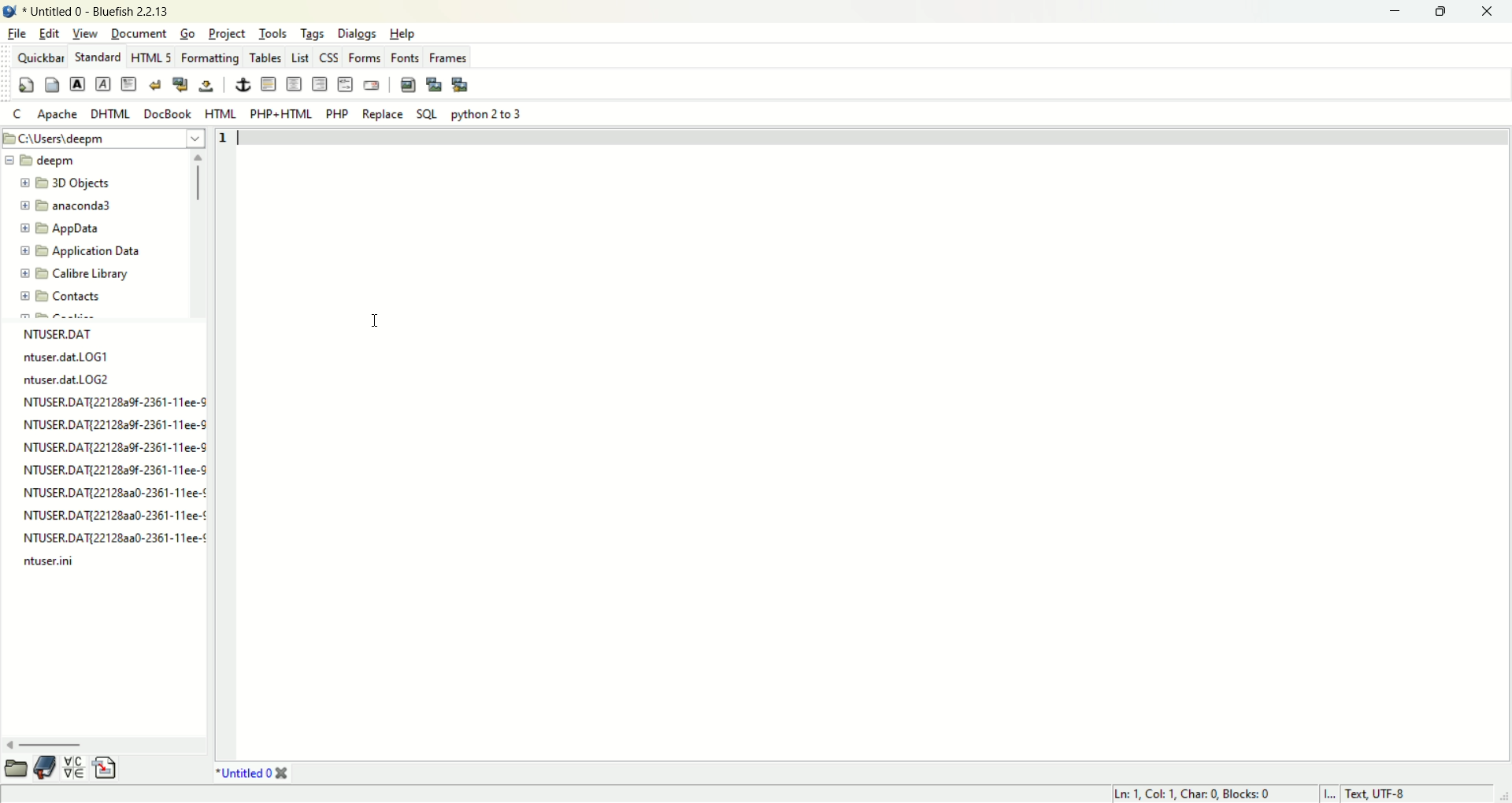 This screenshot has height=803, width=1512. What do you see at coordinates (113, 540) in the screenshot?
I see `NTUSER.DAT{22128aa0-2361-11ee-` at bounding box center [113, 540].